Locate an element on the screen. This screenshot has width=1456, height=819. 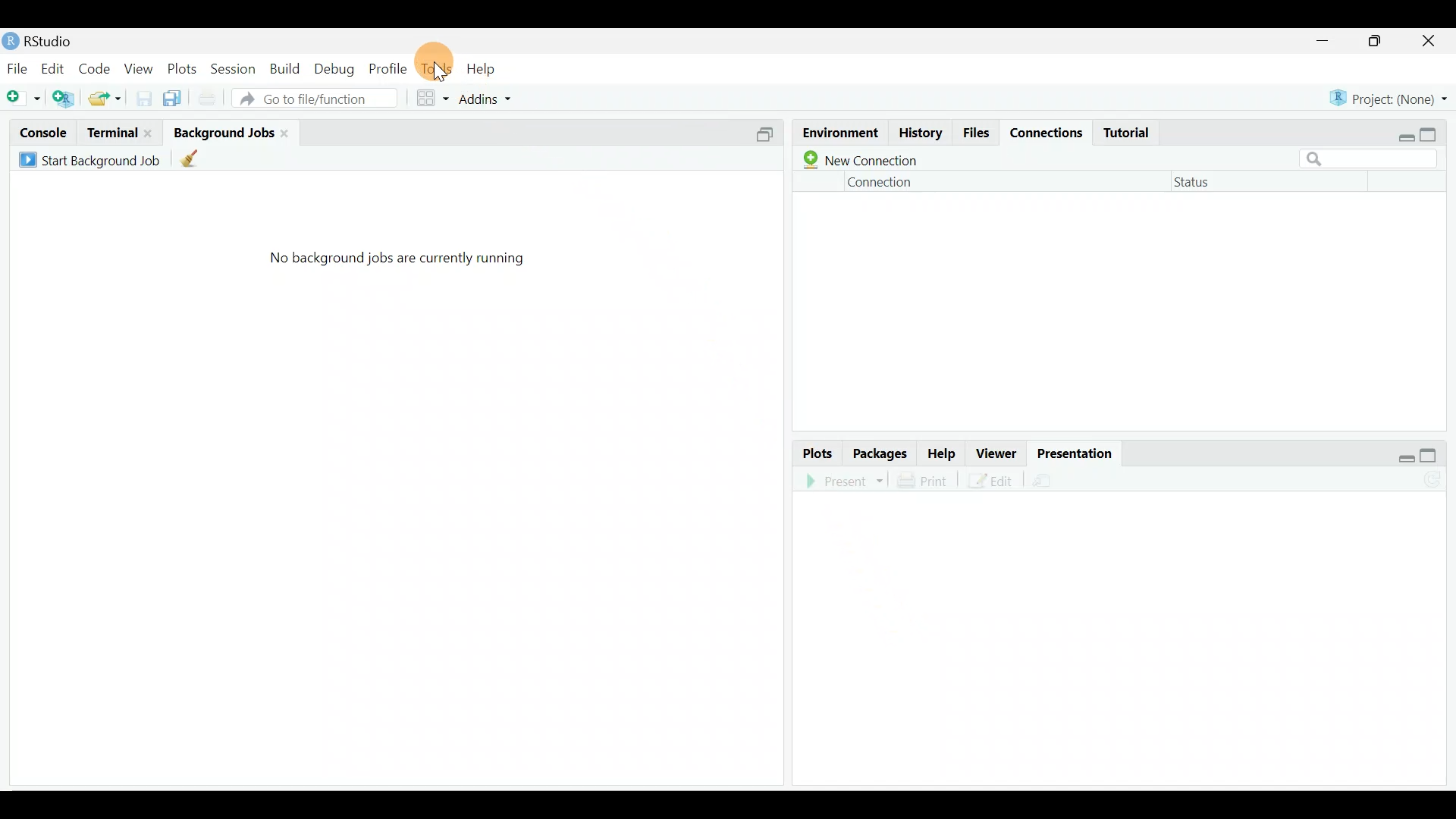
Search bar is located at coordinates (1373, 160).